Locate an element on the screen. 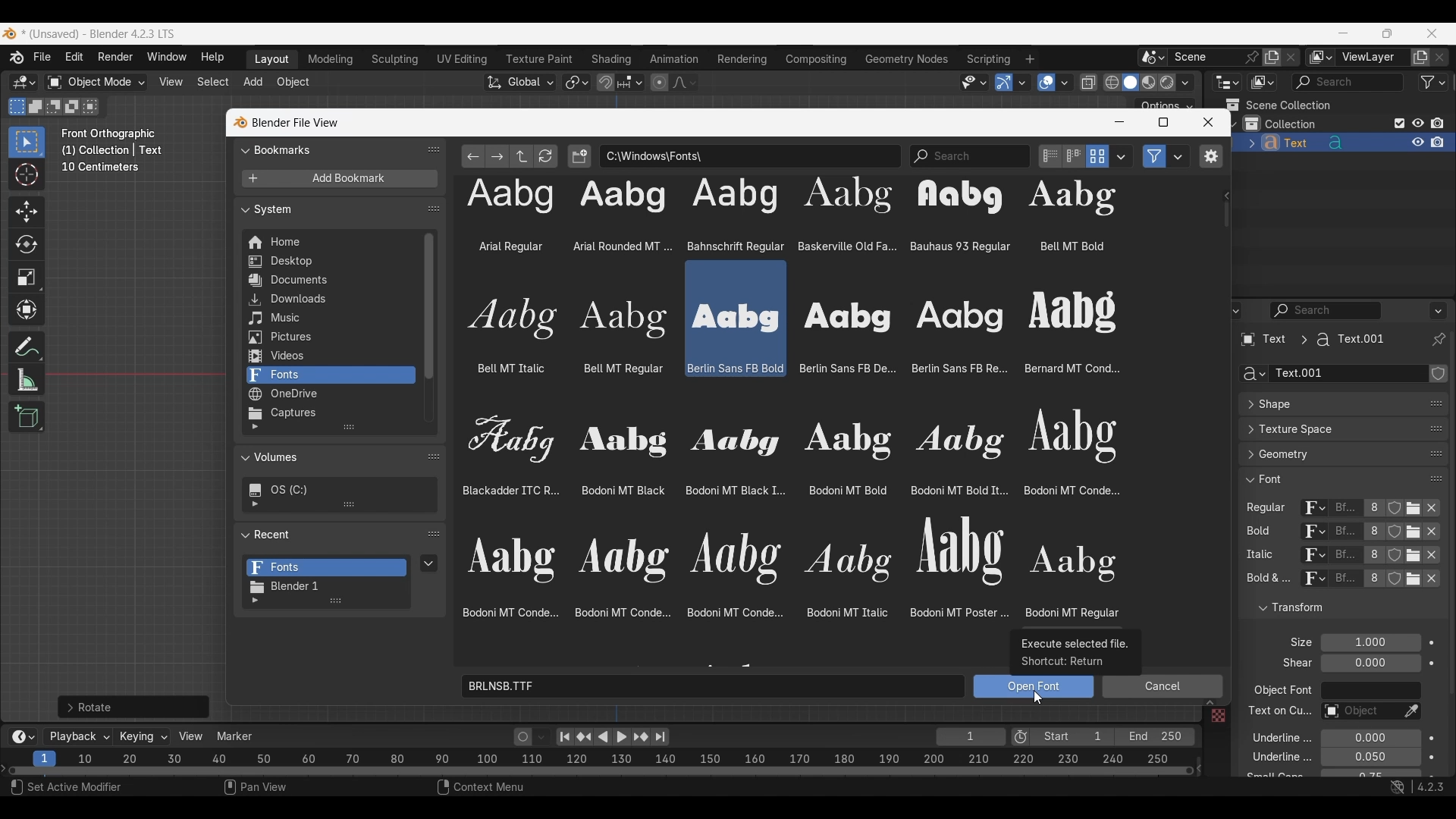  fake user is located at coordinates (1397, 585).